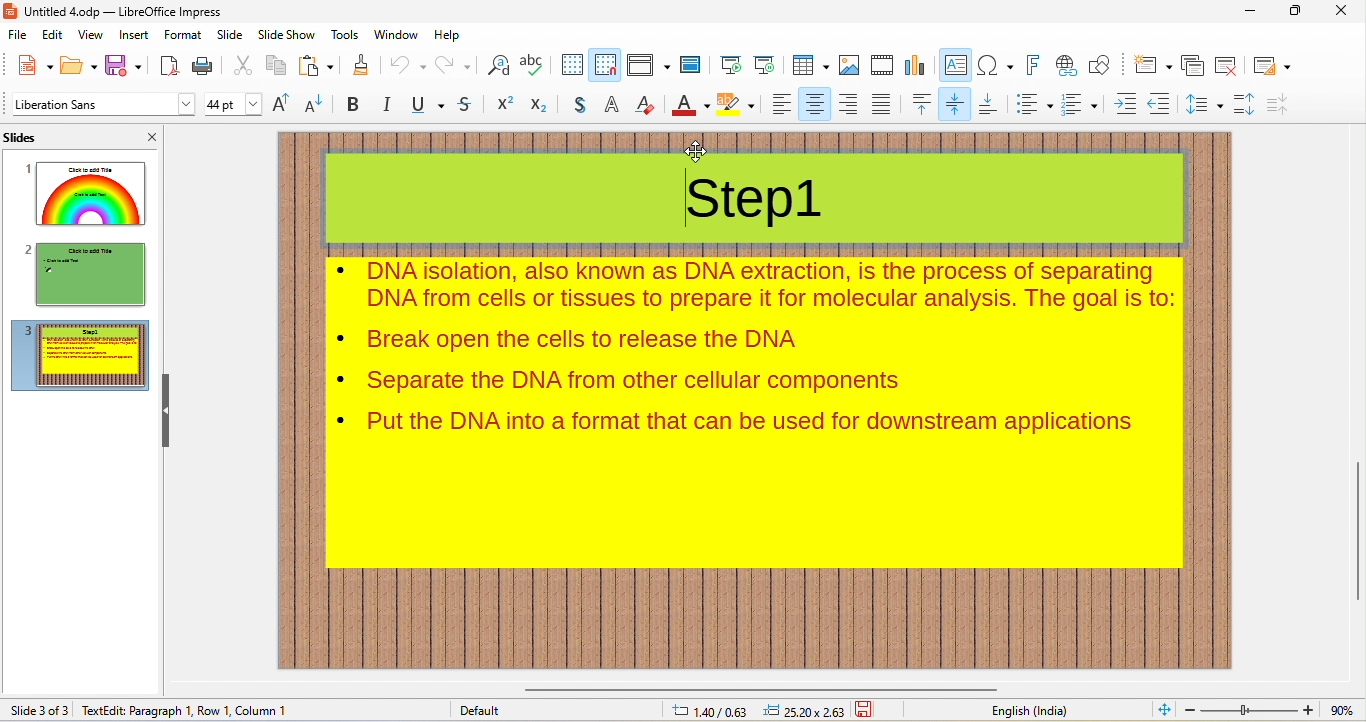 This screenshot has width=1366, height=722. What do you see at coordinates (287, 35) in the screenshot?
I see `slideshow` at bounding box center [287, 35].